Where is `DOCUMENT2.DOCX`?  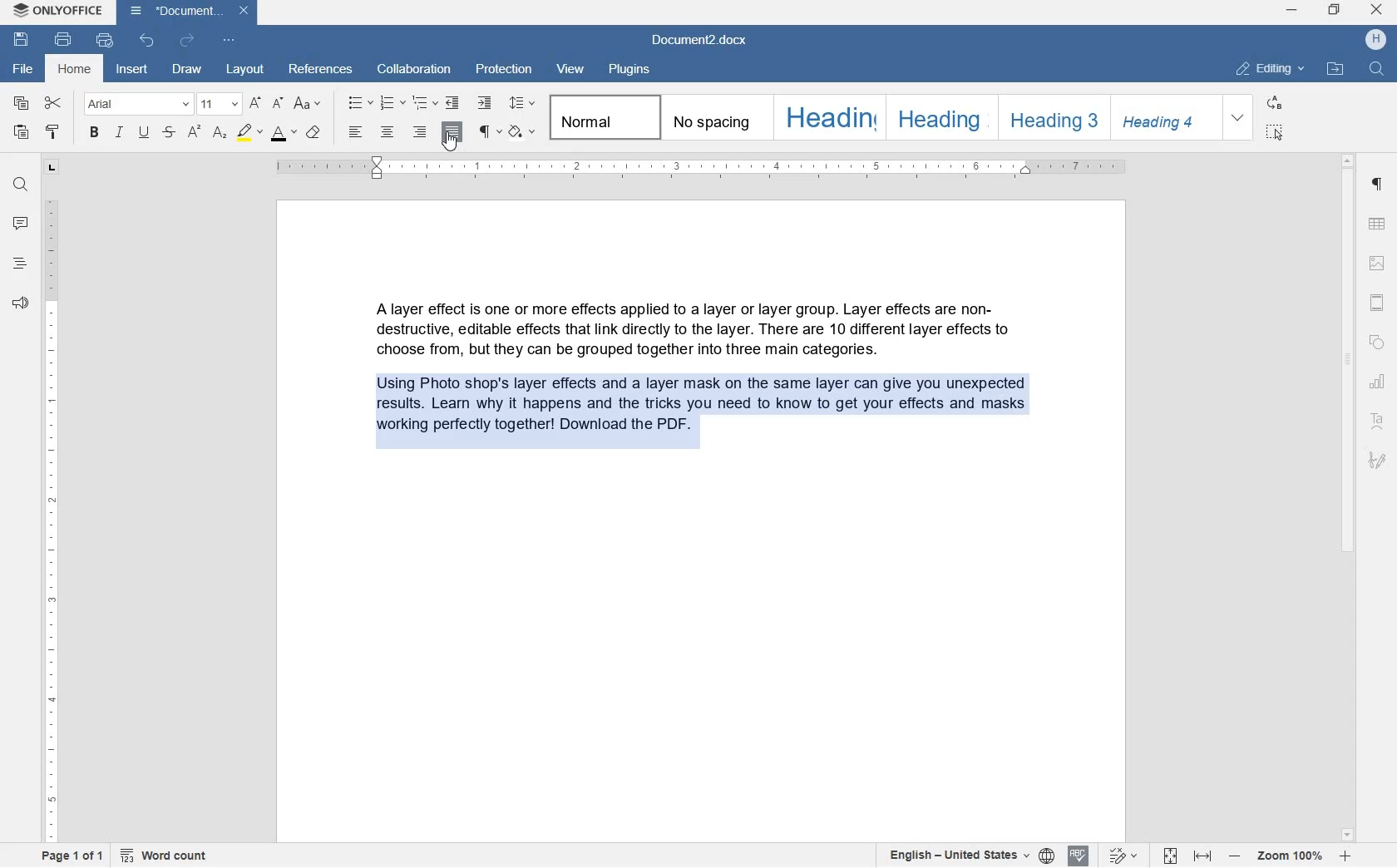
DOCUMENT2.DOCX is located at coordinates (703, 41).